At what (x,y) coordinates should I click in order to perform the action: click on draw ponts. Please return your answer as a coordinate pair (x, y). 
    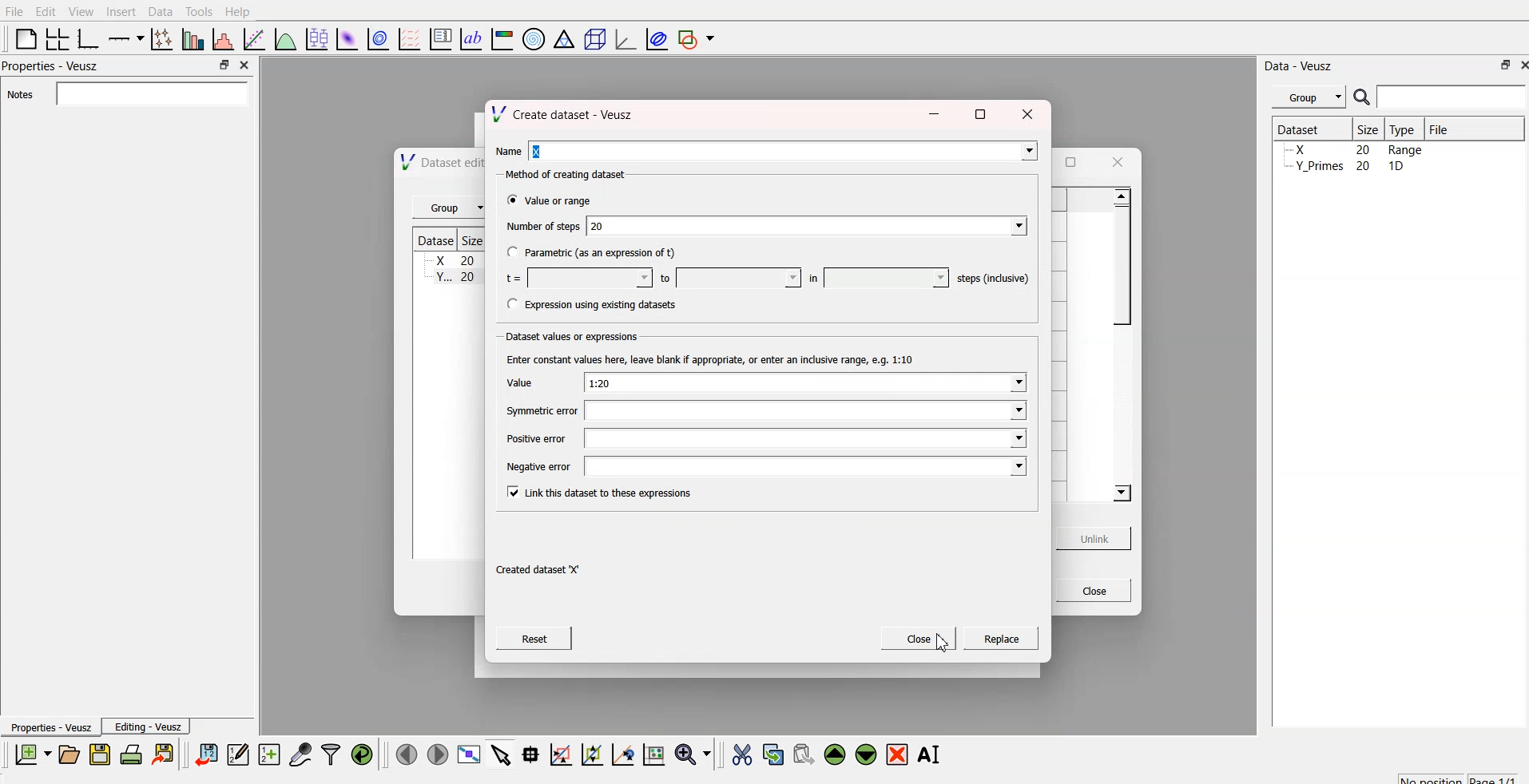
    Looking at the image, I should click on (591, 754).